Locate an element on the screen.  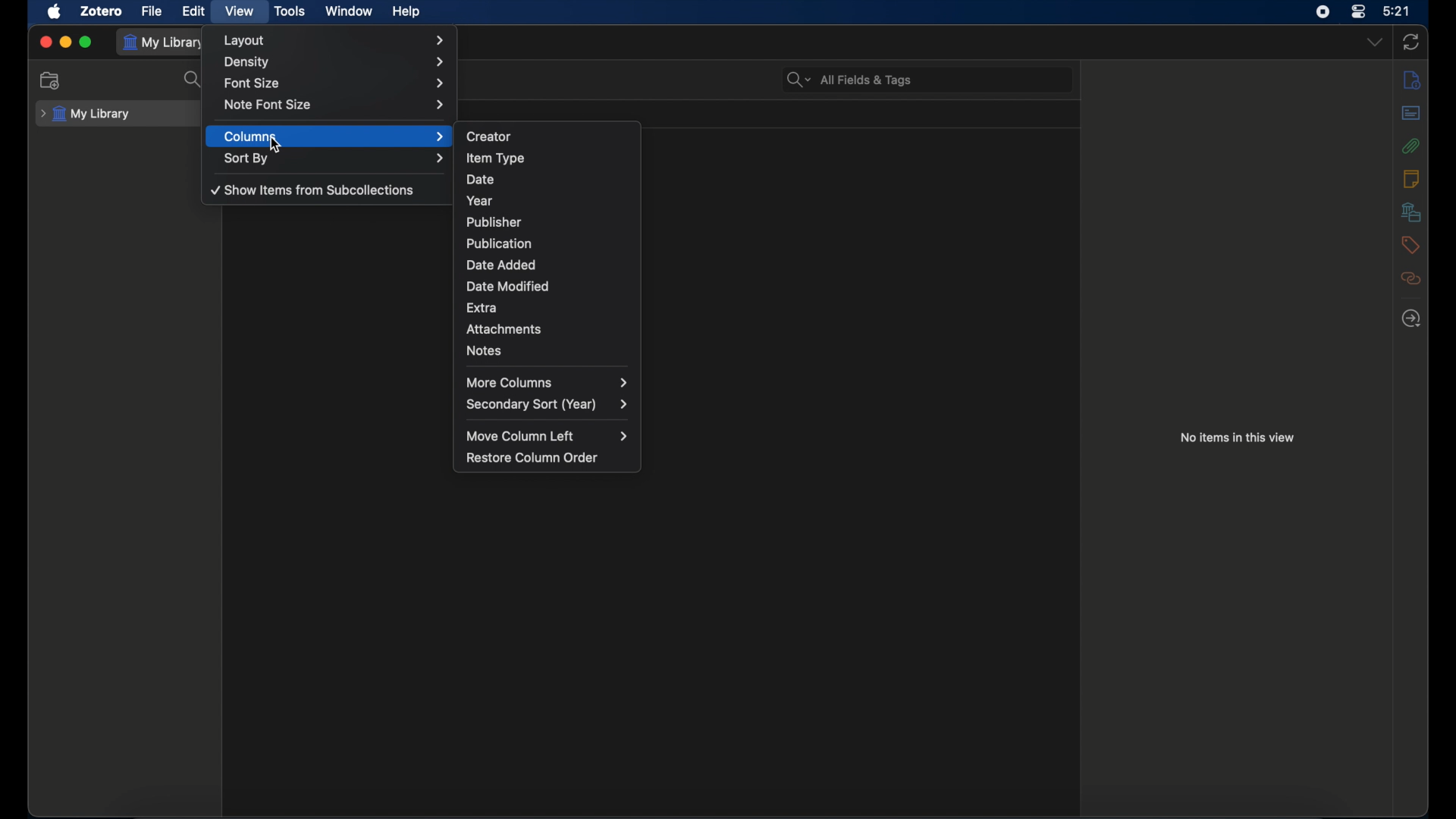
density is located at coordinates (336, 62).